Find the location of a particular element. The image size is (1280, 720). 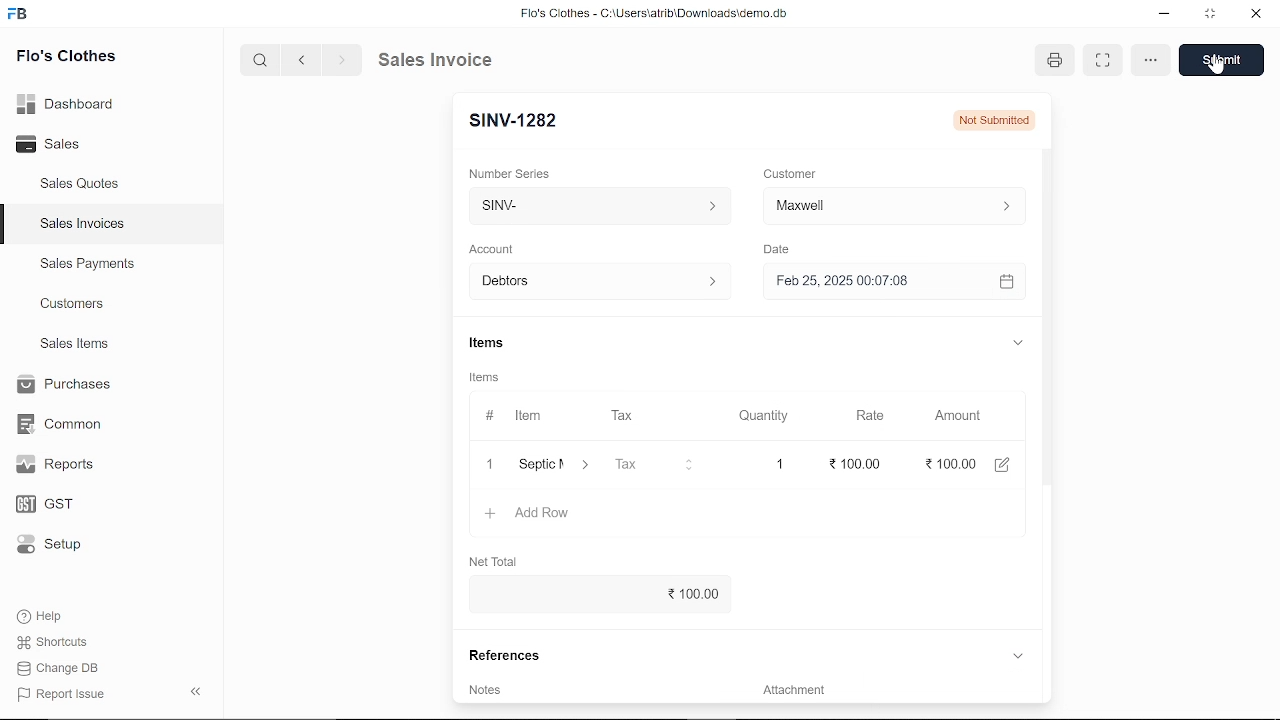

Help is located at coordinates (42, 616).